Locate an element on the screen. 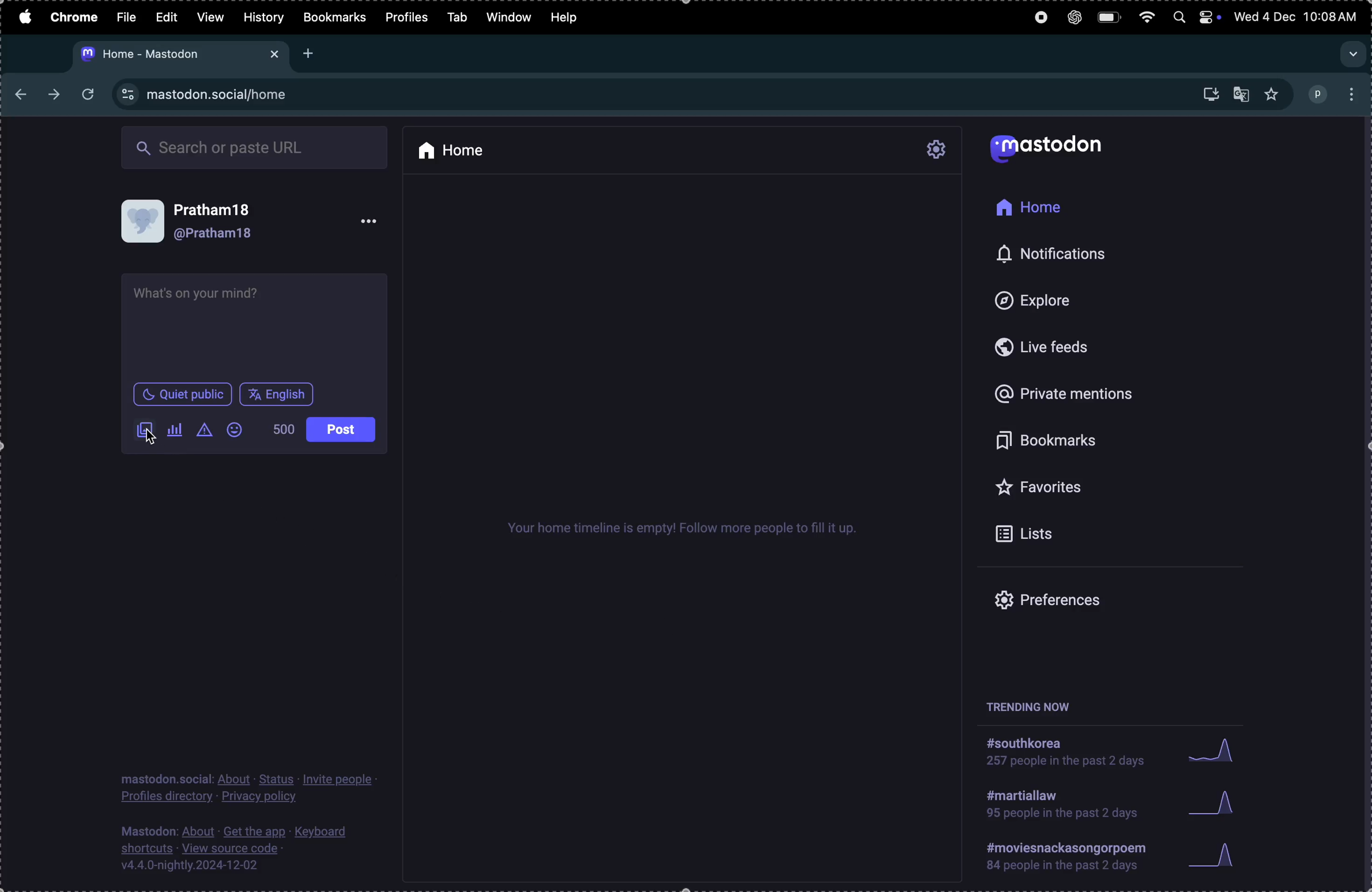  Private mentions is located at coordinates (1074, 393).